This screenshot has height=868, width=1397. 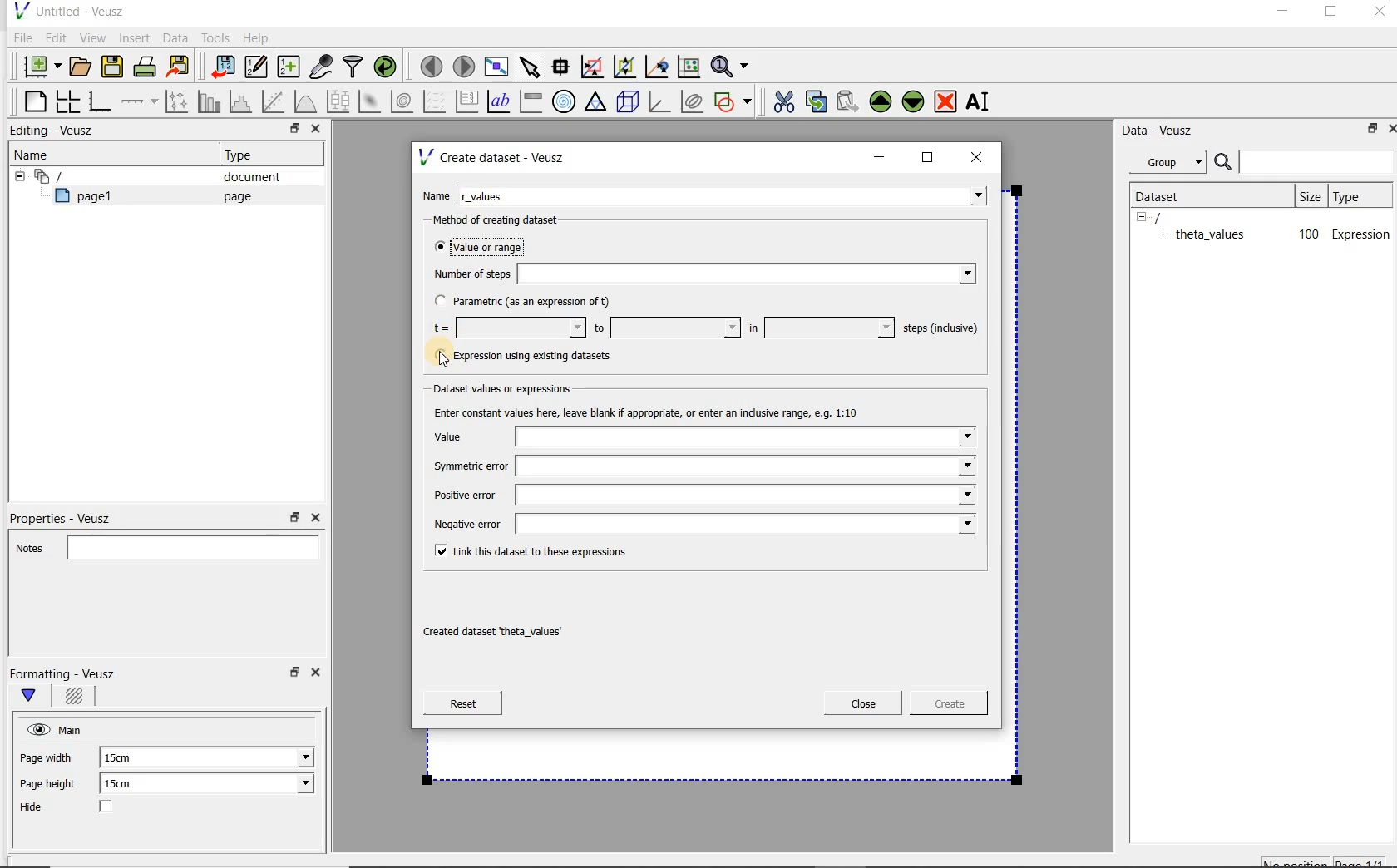 I want to click on File, so click(x=20, y=38).